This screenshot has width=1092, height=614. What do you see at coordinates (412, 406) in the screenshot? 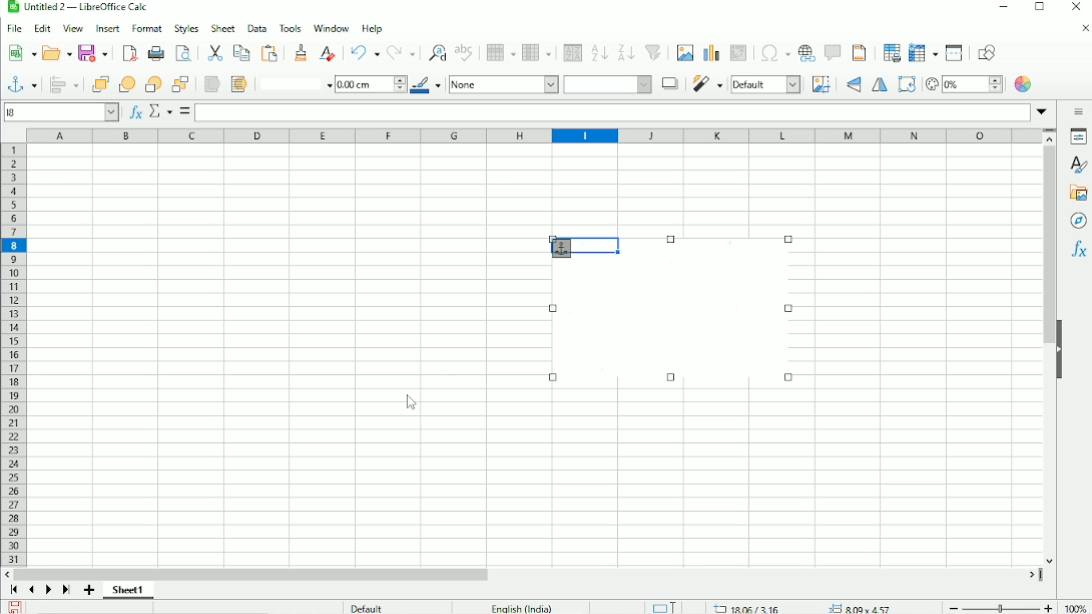
I see `Cursor` at bounding box center [412, 406].